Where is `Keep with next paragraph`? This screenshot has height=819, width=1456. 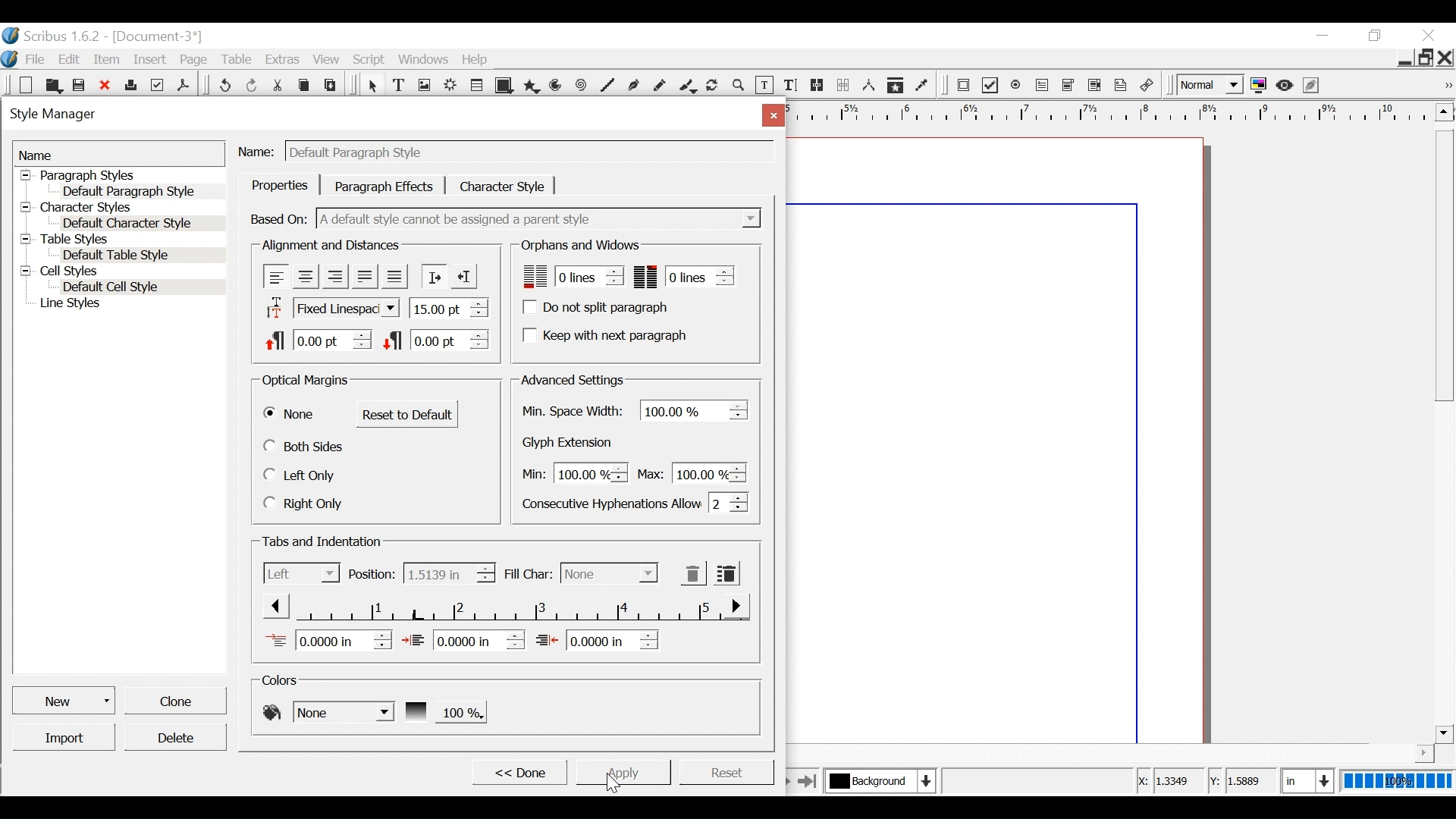 Keep with next paragraph is located at coordinates (603, 334).